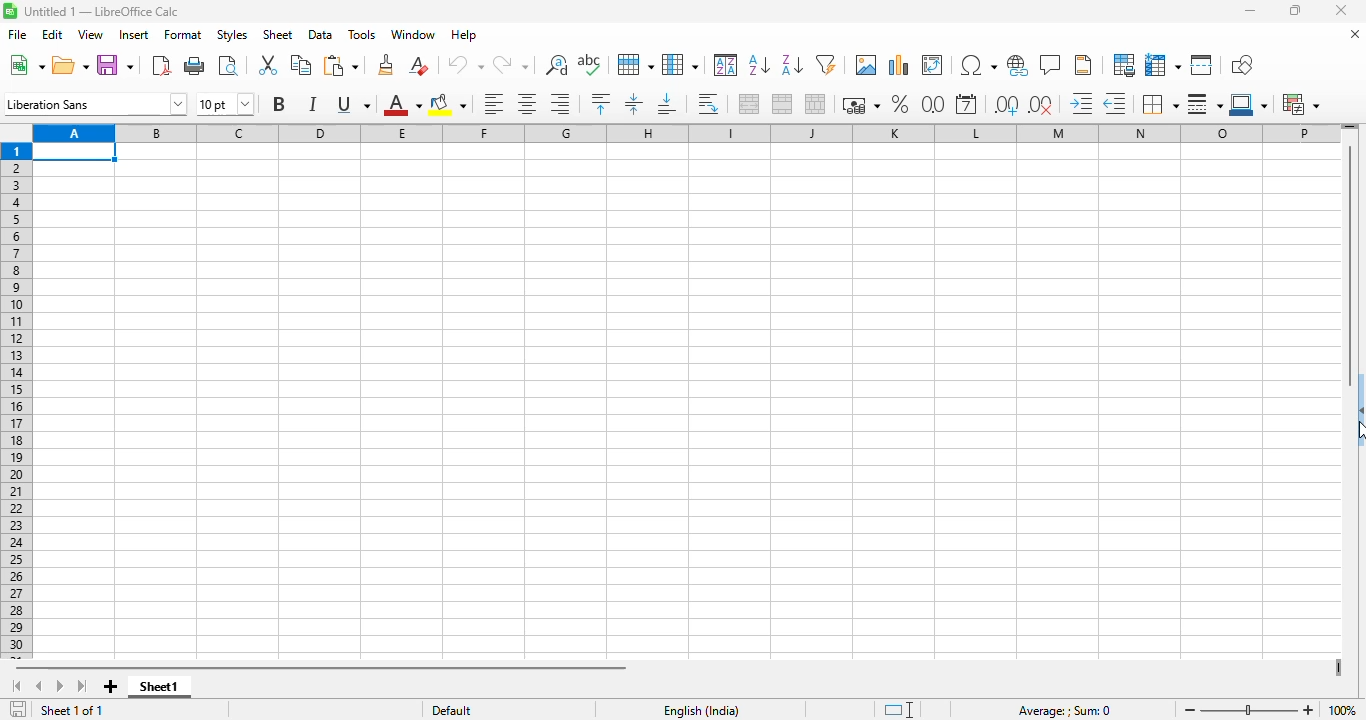 This screenshot has width=1366, height=720. I want to click on border color, so click(1250, 104).